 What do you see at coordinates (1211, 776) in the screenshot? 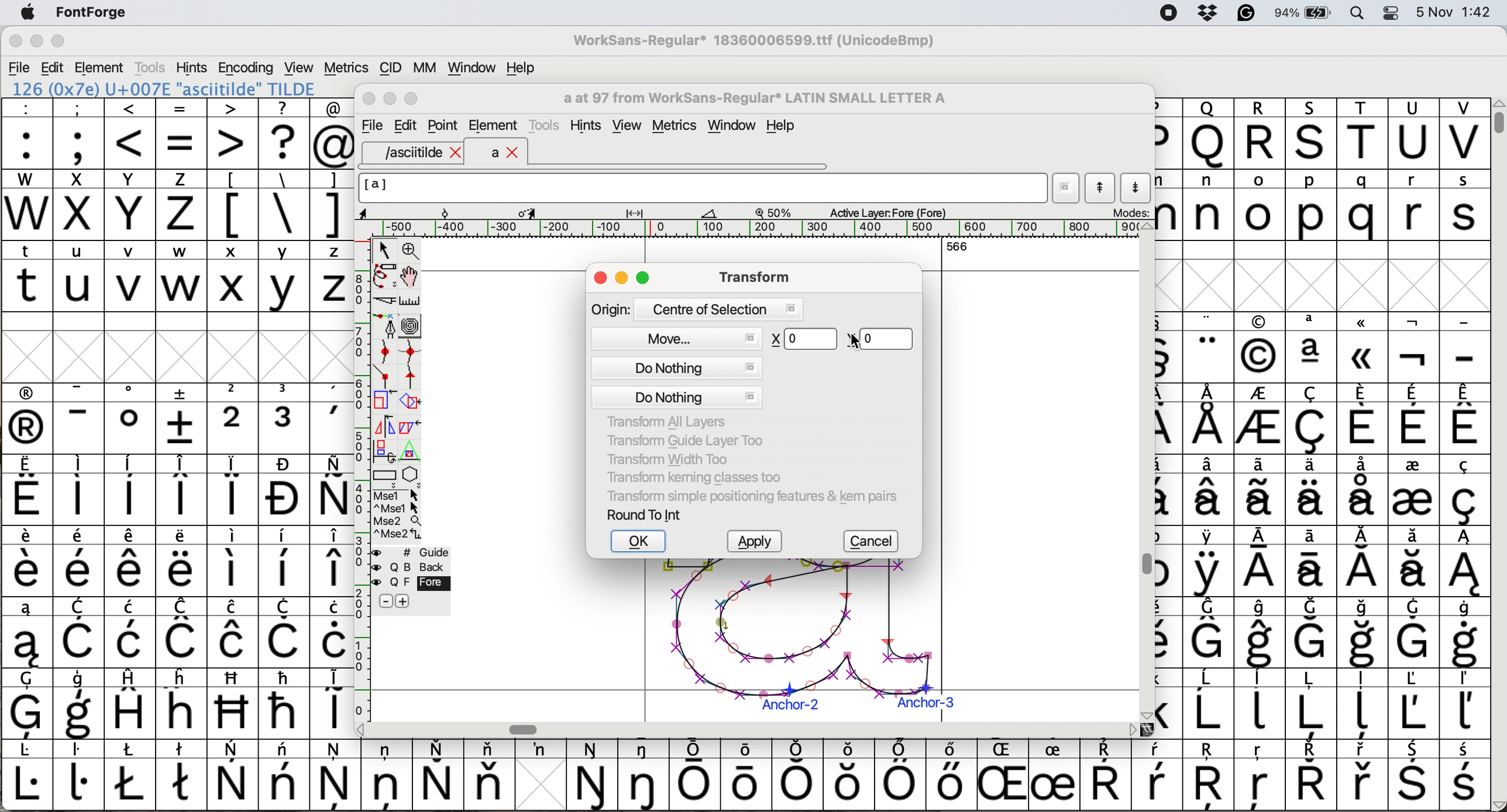
I see `` at bounding box center [1211, 776].